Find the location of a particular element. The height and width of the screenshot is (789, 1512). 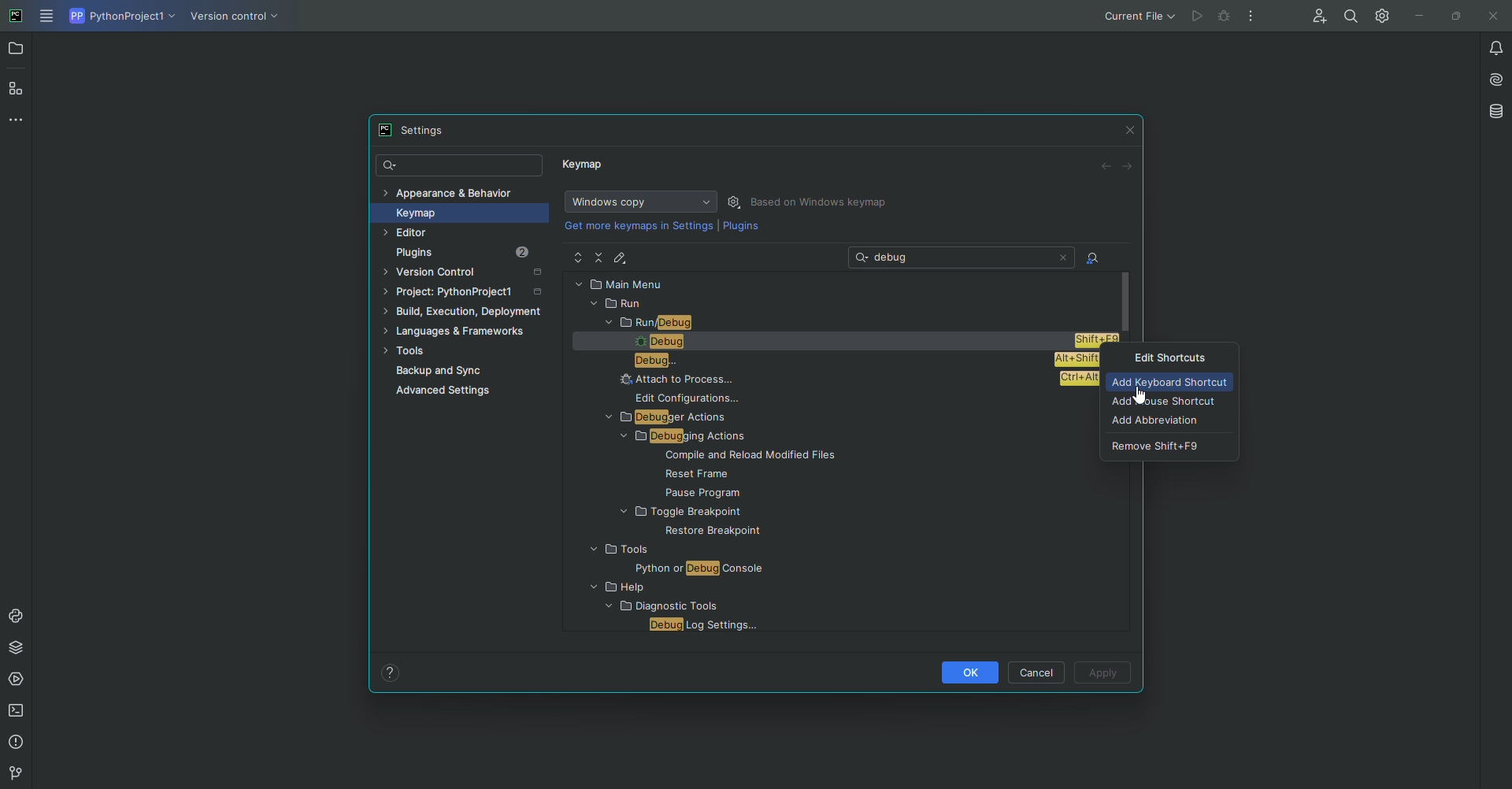

shortcut is located at coordinates (1079, 360).